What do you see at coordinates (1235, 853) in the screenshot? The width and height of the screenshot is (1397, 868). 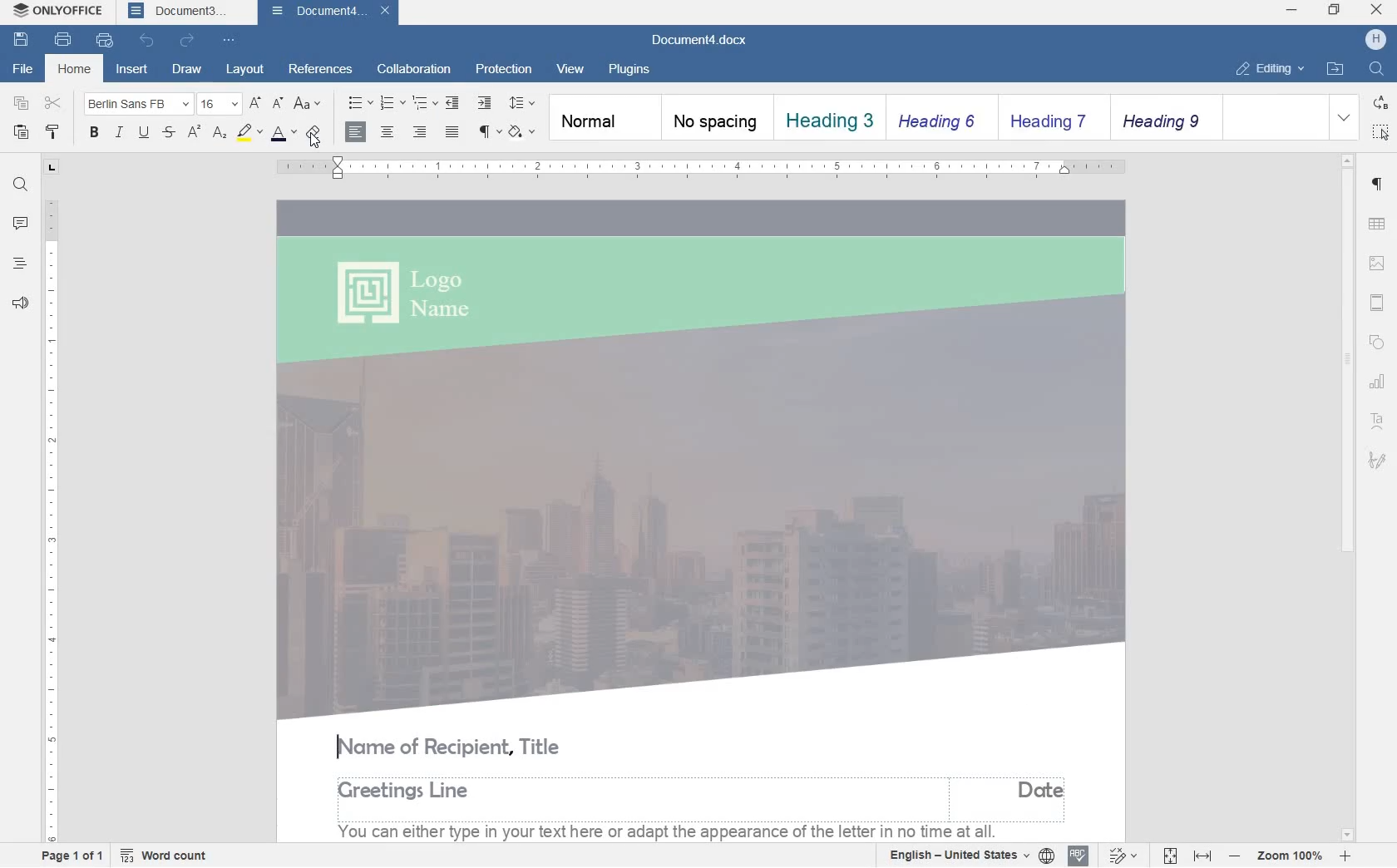 I see `decrease zoom` at bounding box center [1235, 853].